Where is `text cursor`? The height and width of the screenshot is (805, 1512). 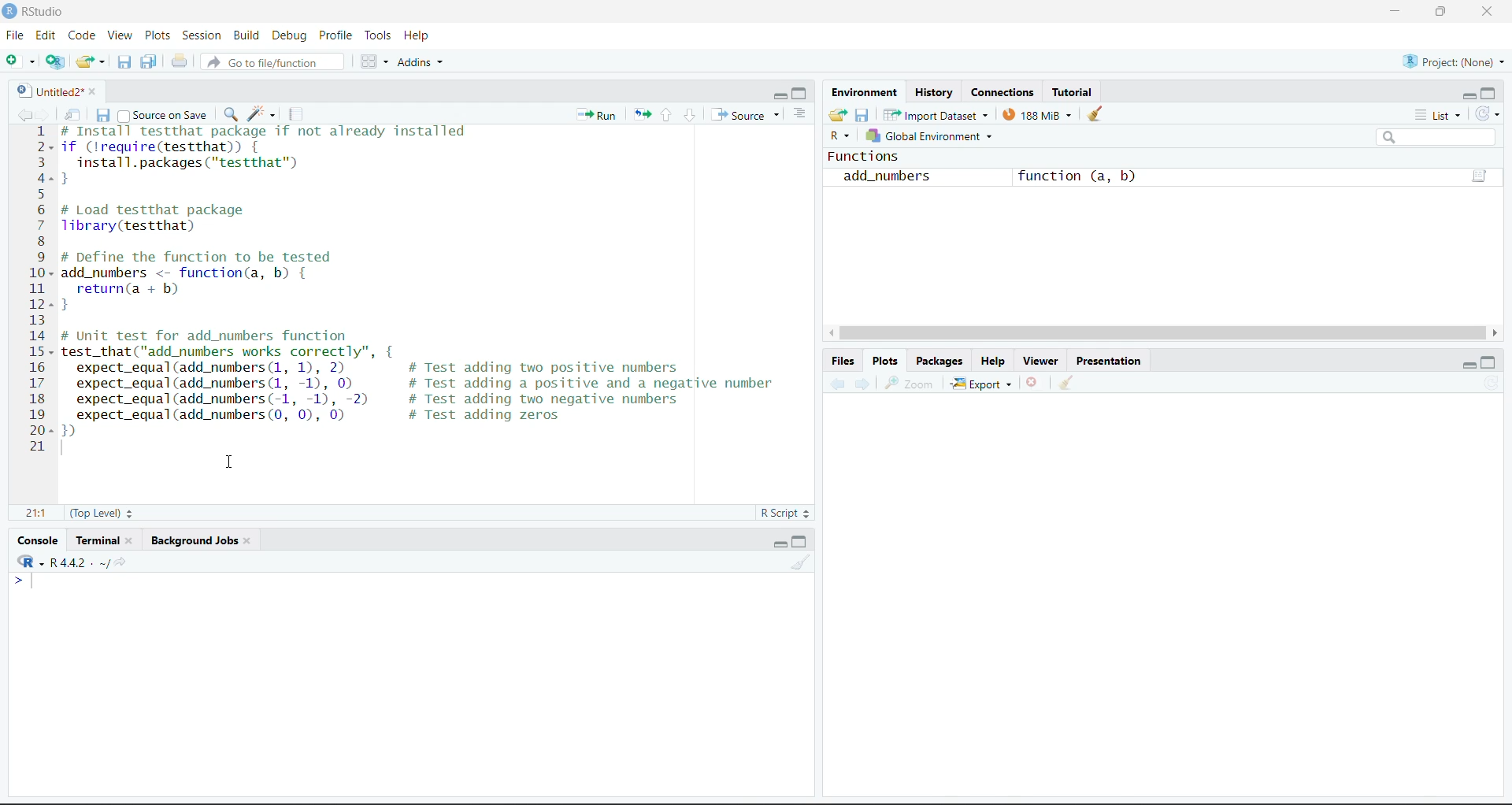
text cursor is located at coordinates (31, 582).